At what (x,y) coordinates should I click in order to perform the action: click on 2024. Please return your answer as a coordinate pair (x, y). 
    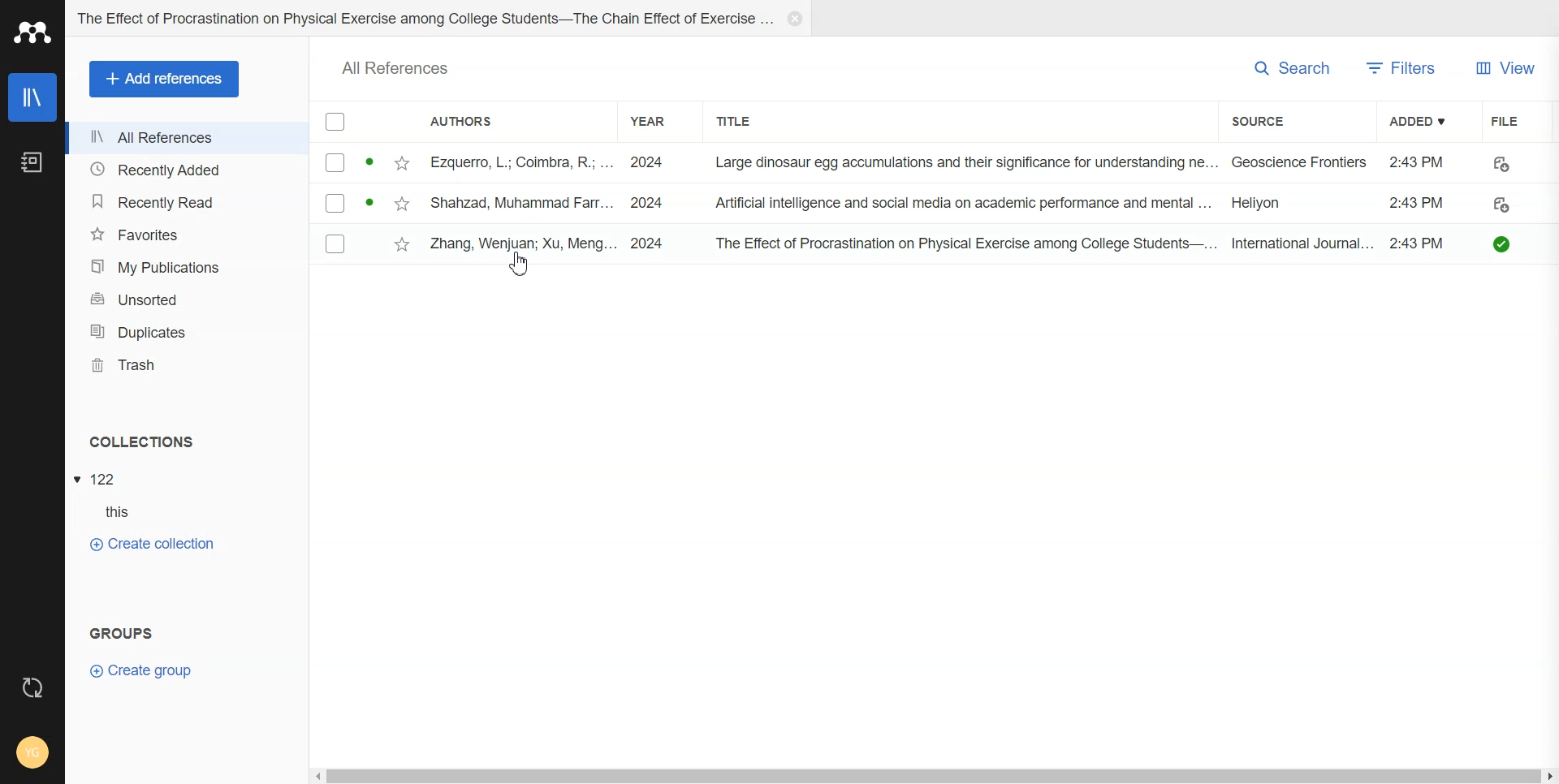
    Looking at the image, I should click on (646, 160).